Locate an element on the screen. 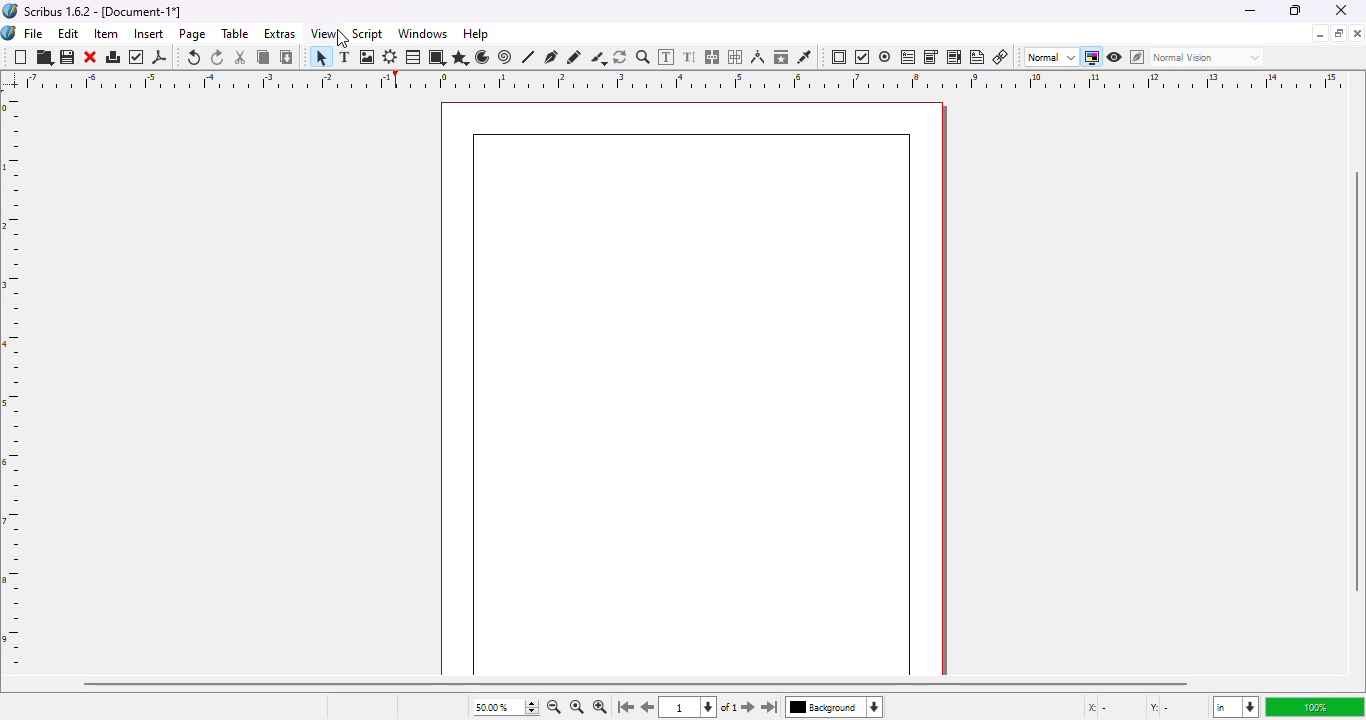  open is located at coordinates (45, 58).